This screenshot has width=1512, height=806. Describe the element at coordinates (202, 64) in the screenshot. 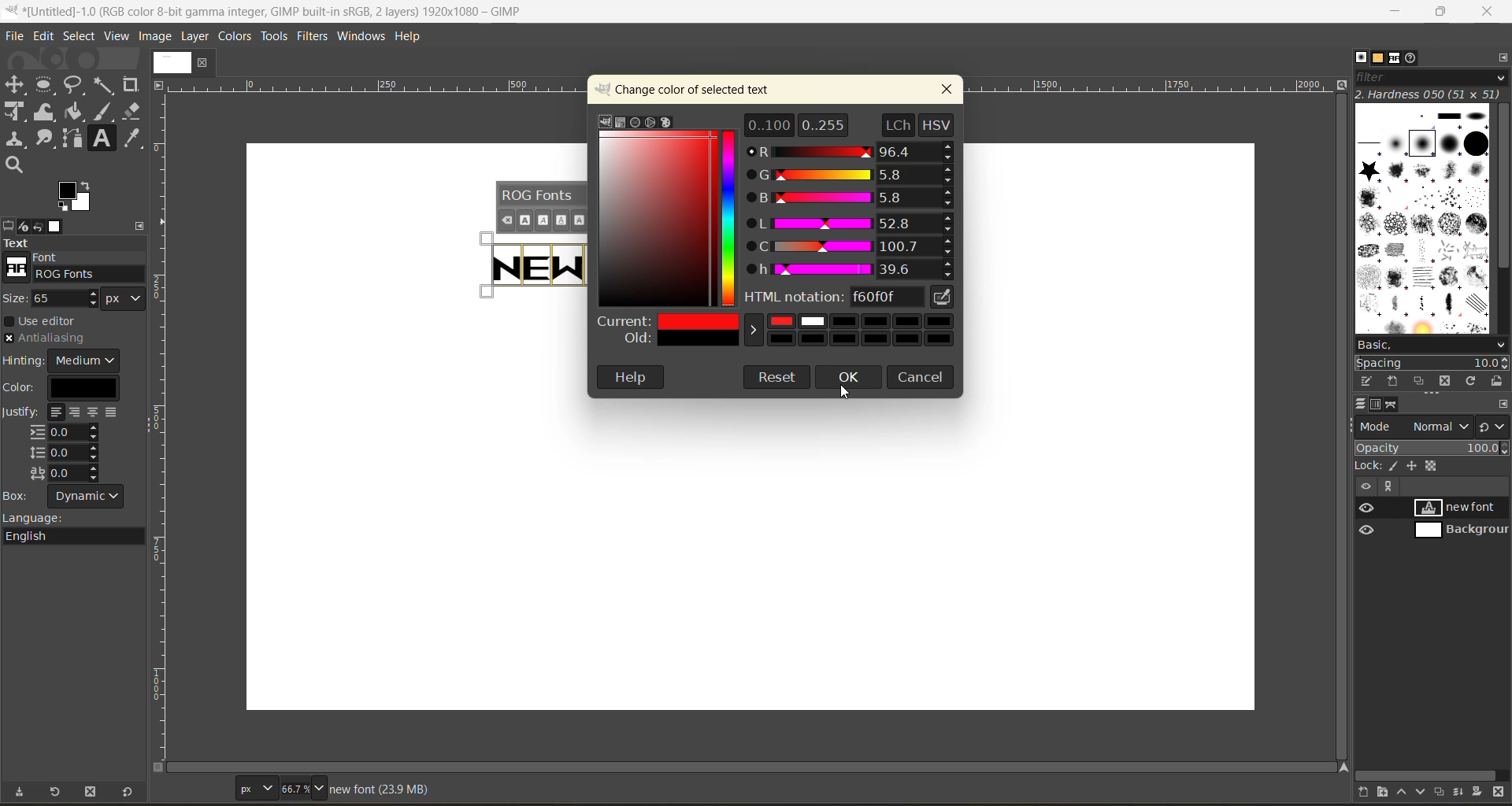

I see `close` at that location.